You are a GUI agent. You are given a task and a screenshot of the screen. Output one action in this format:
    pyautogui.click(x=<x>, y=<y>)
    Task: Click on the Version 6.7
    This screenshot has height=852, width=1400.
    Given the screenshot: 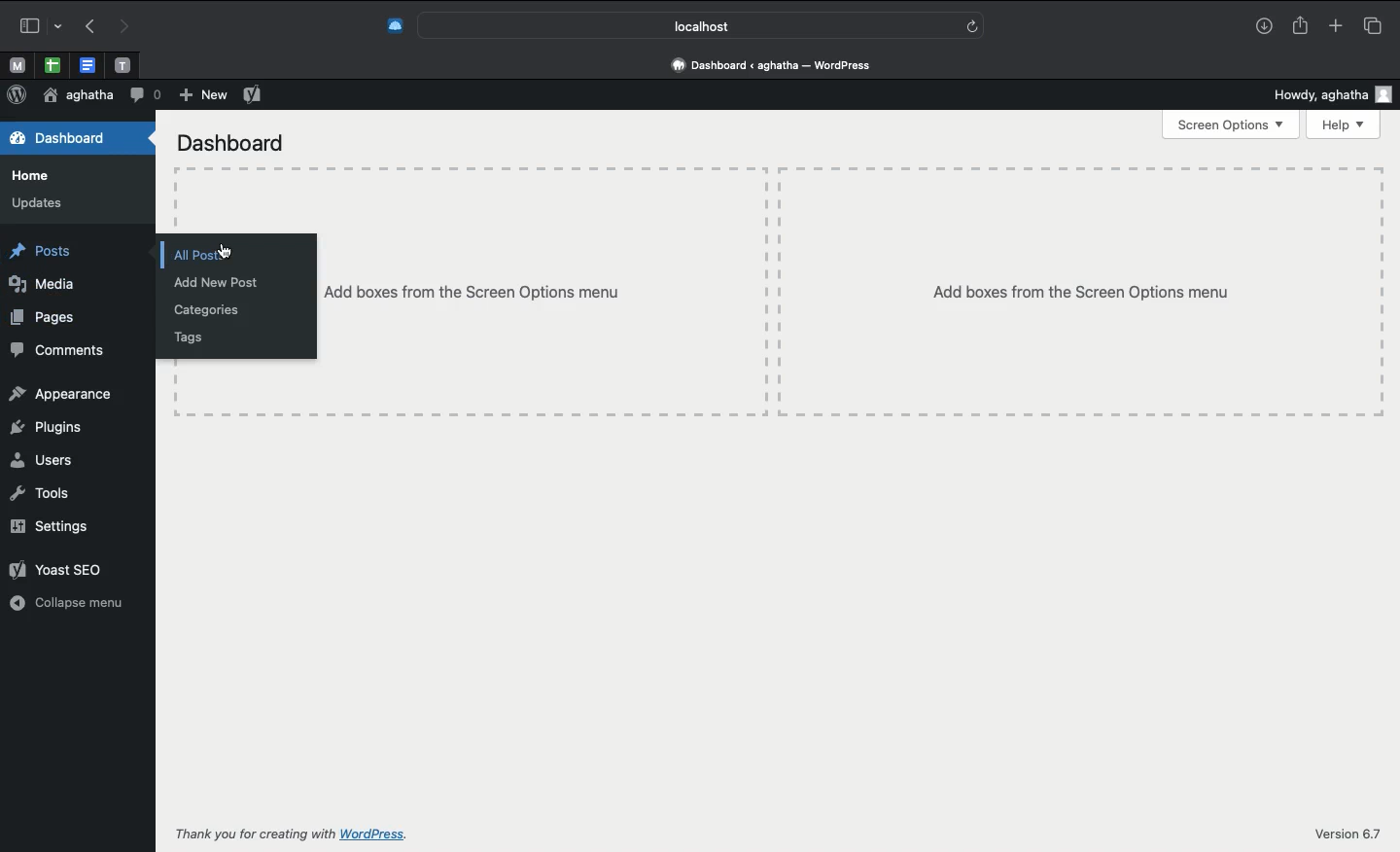 What is the action you would take?
    pyautogui.click(x=1348, y=834)
    